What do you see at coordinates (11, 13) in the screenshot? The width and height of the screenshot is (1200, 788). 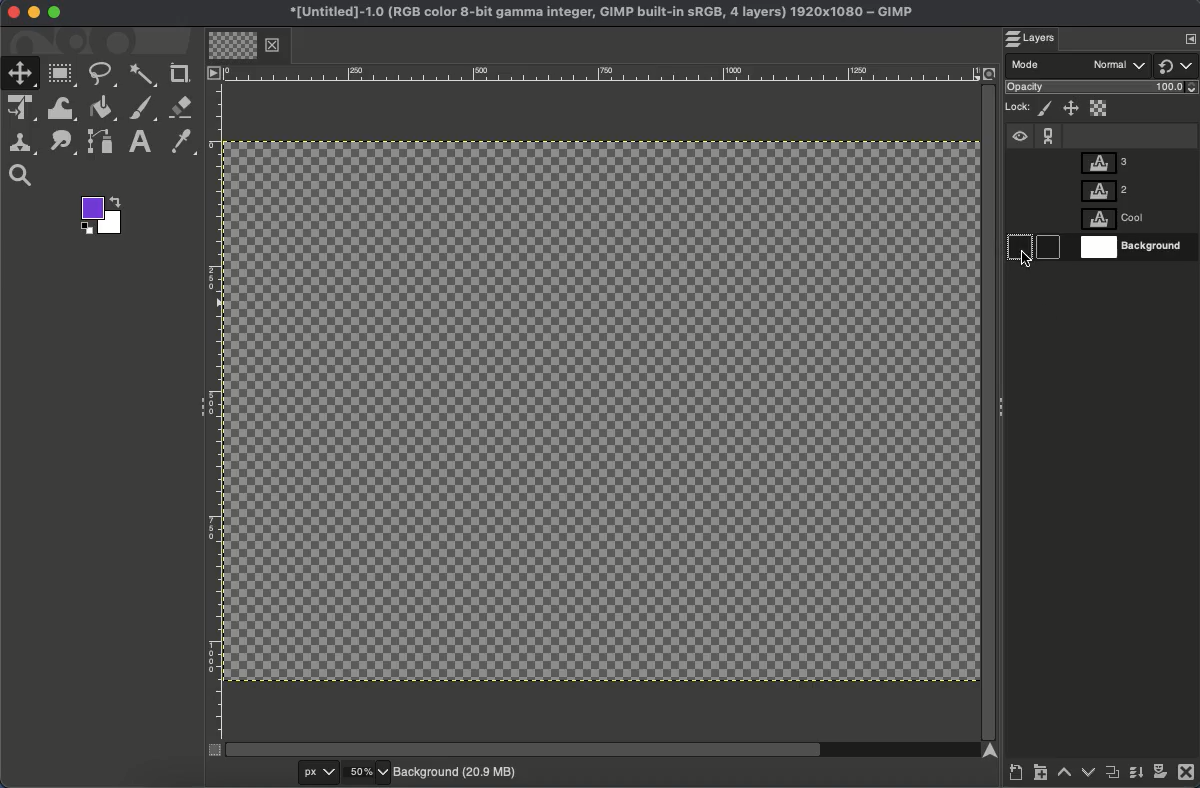 I see `Close` at bounding box center [11, 13].